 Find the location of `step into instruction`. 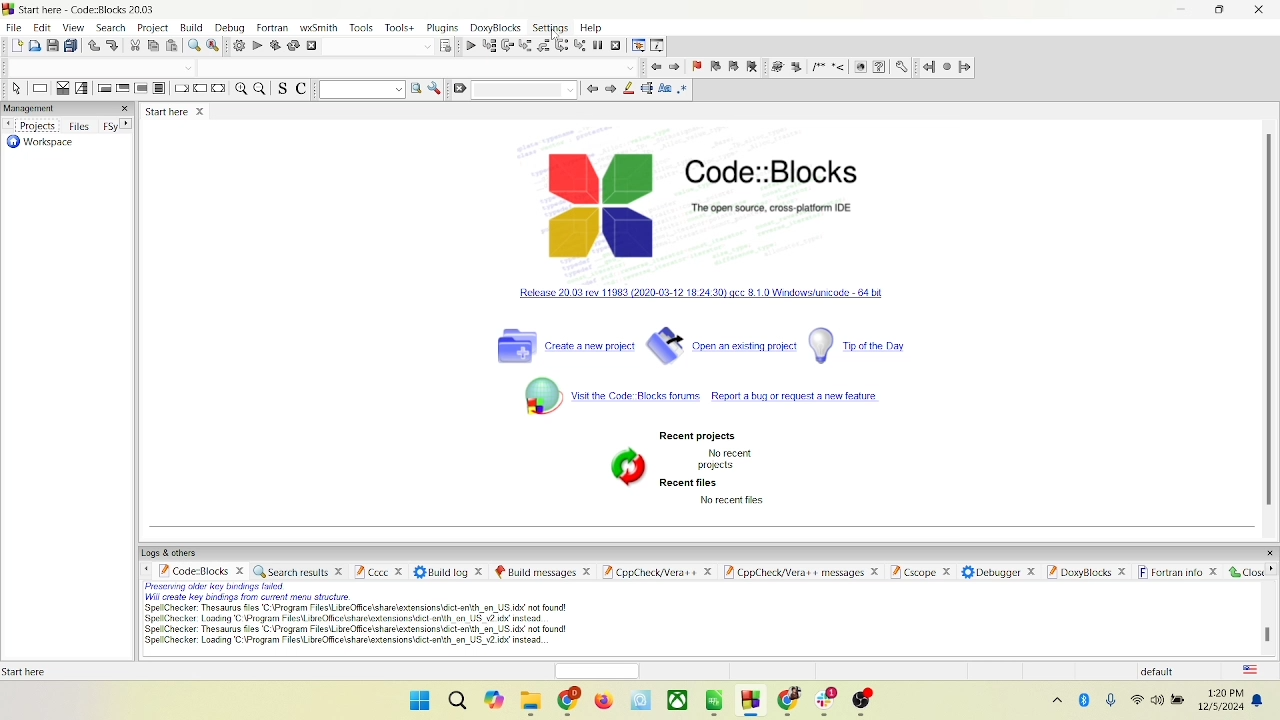

step into instruction is located at coordinates (583, 44).